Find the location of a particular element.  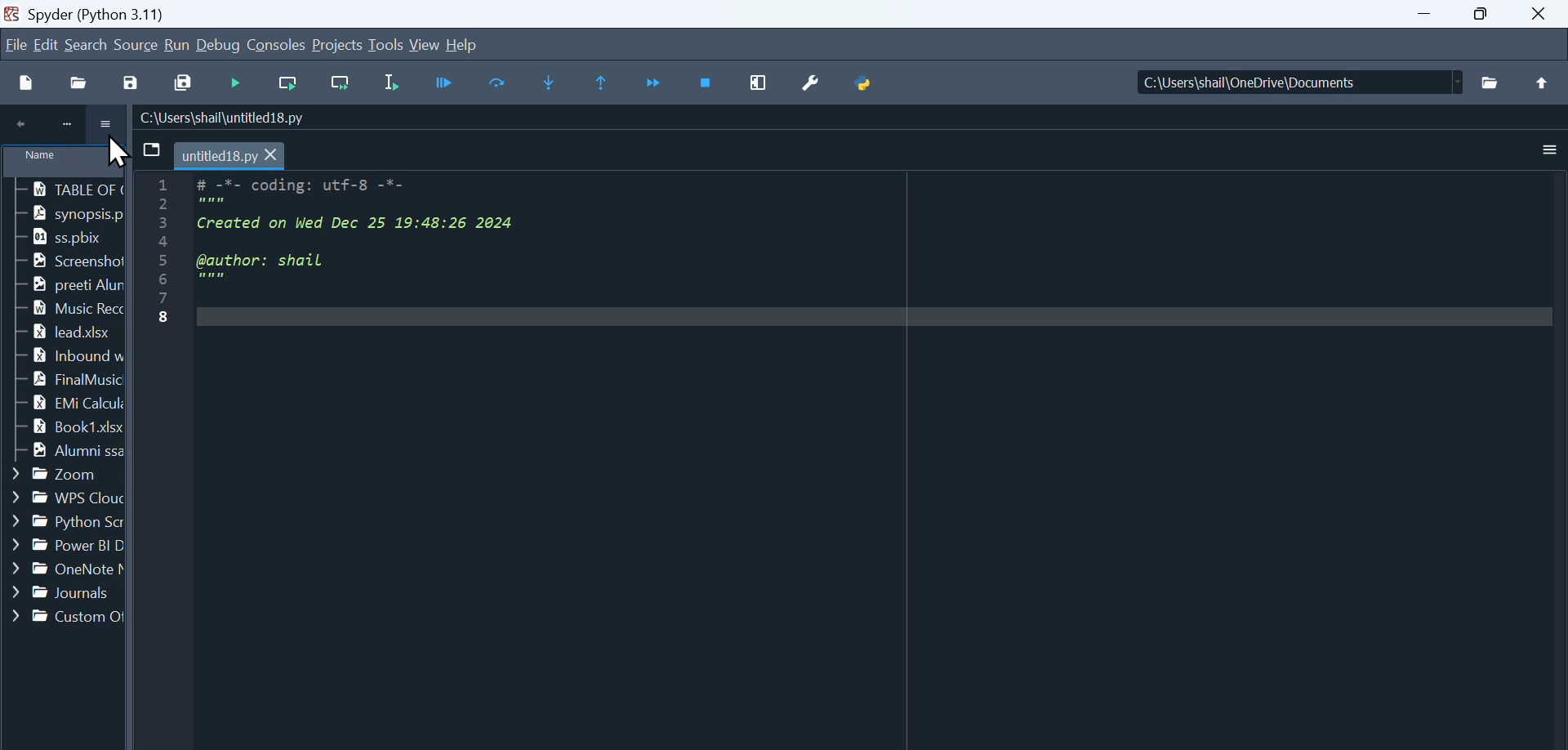

 is located at coordinates (48, 44).